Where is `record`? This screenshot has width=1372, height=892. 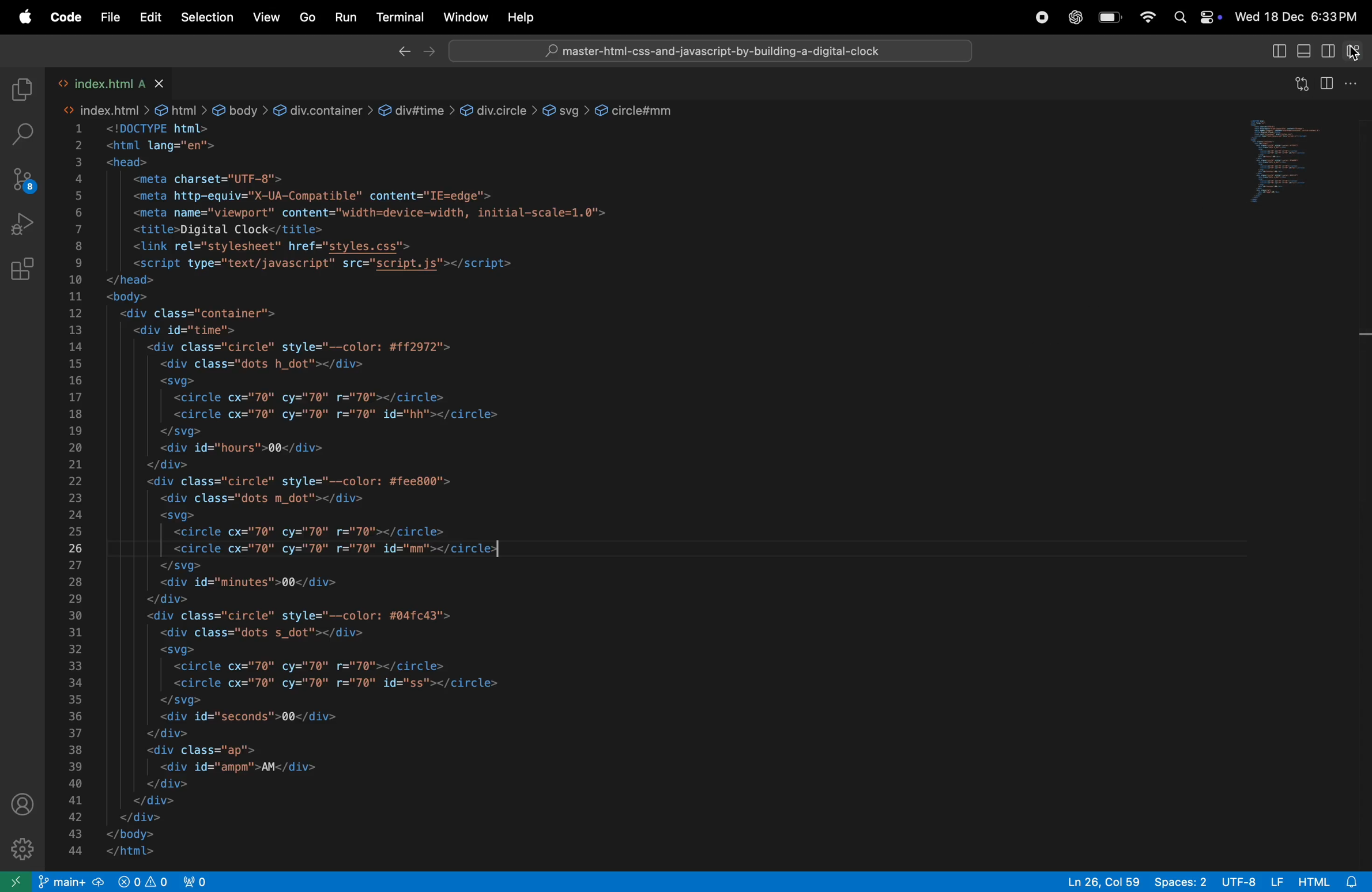 record is located at coordinates (1035, 18).